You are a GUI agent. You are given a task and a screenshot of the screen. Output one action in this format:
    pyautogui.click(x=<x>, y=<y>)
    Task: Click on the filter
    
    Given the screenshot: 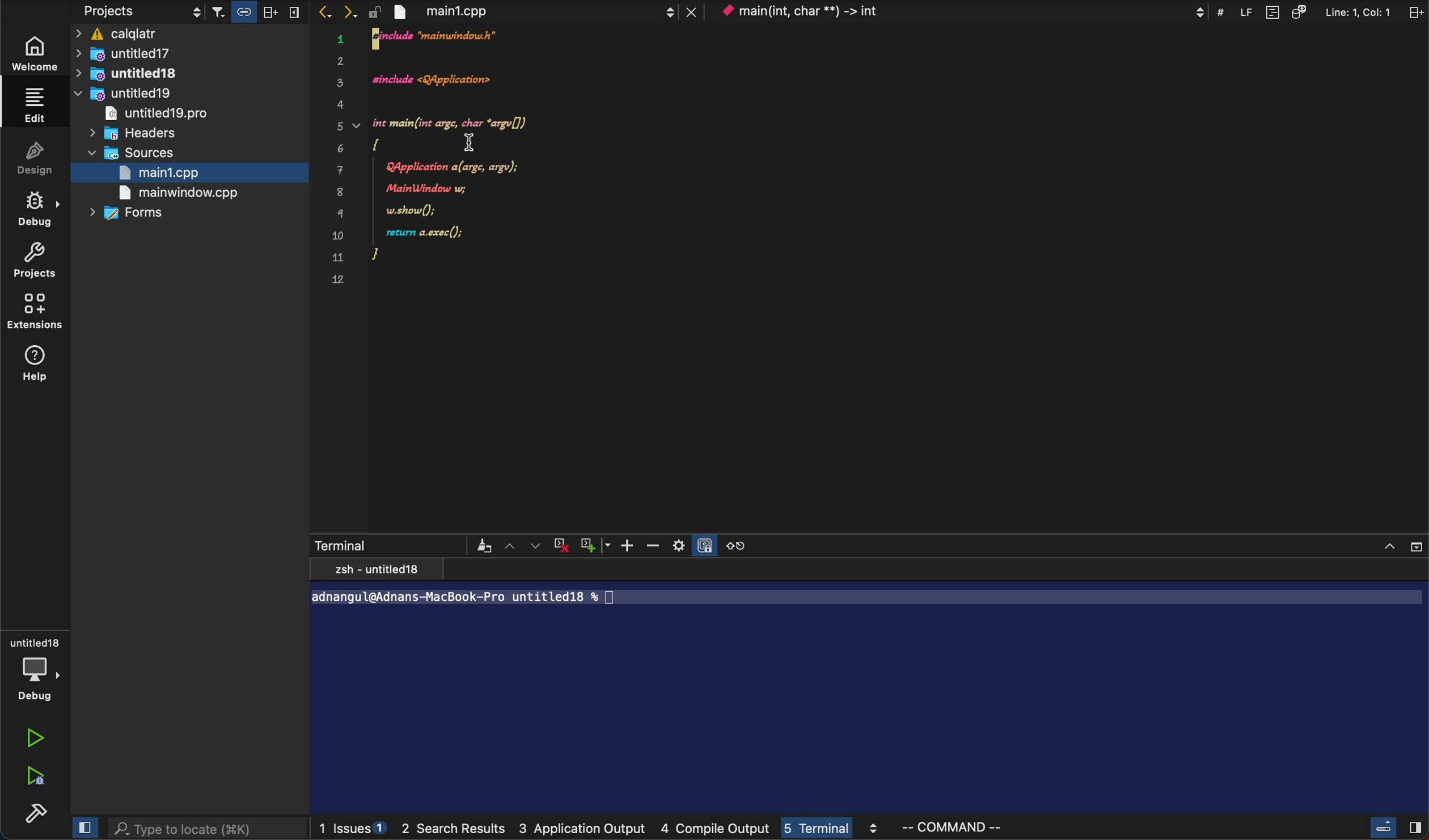 What is the action you would take?
    pyautogui.click(x=259, y=12)
    